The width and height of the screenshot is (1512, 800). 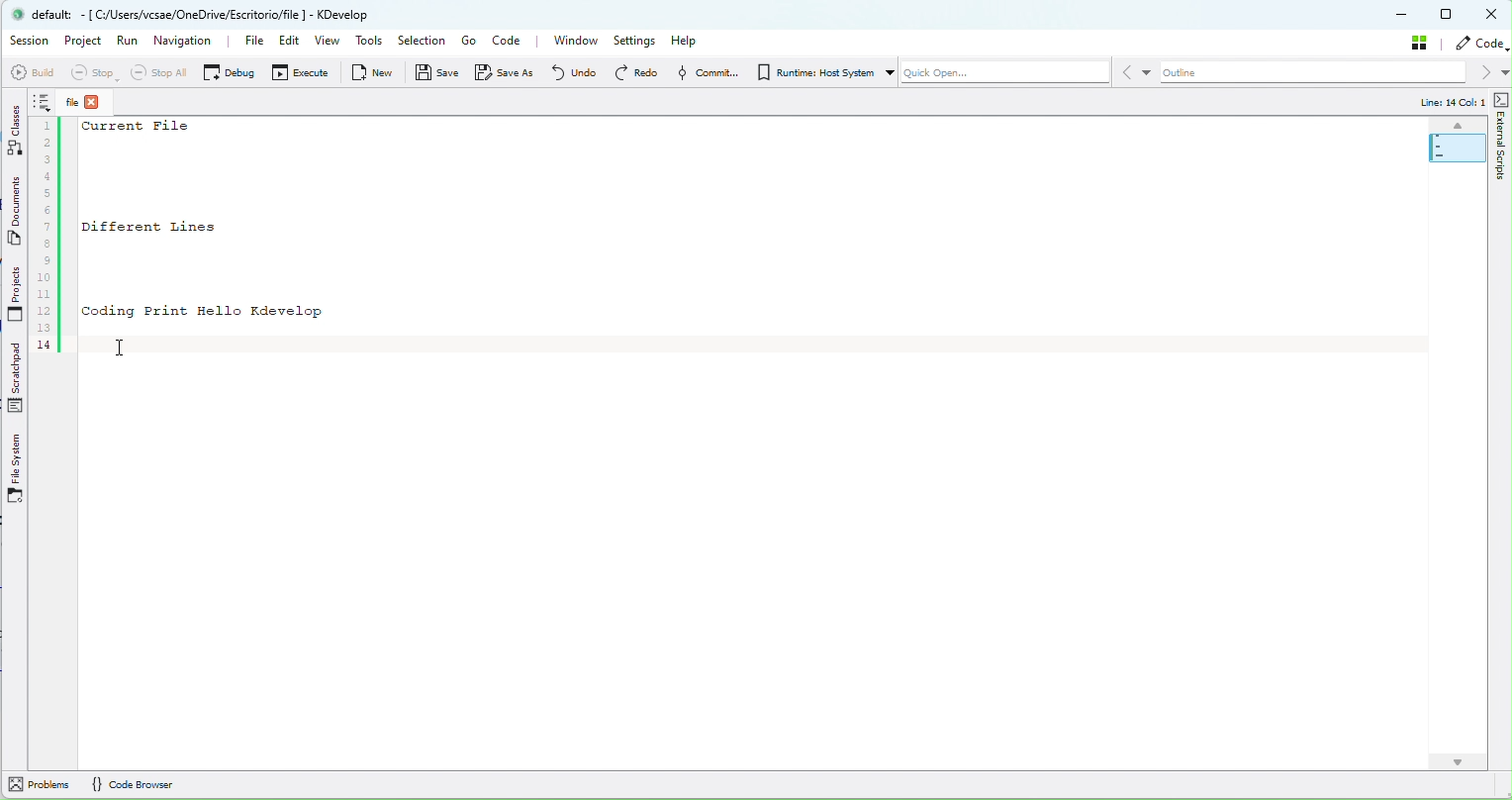 What do you see at coordinates (575, 41) in the screenshot?
I see `Window` at bounding box center [575, 41].